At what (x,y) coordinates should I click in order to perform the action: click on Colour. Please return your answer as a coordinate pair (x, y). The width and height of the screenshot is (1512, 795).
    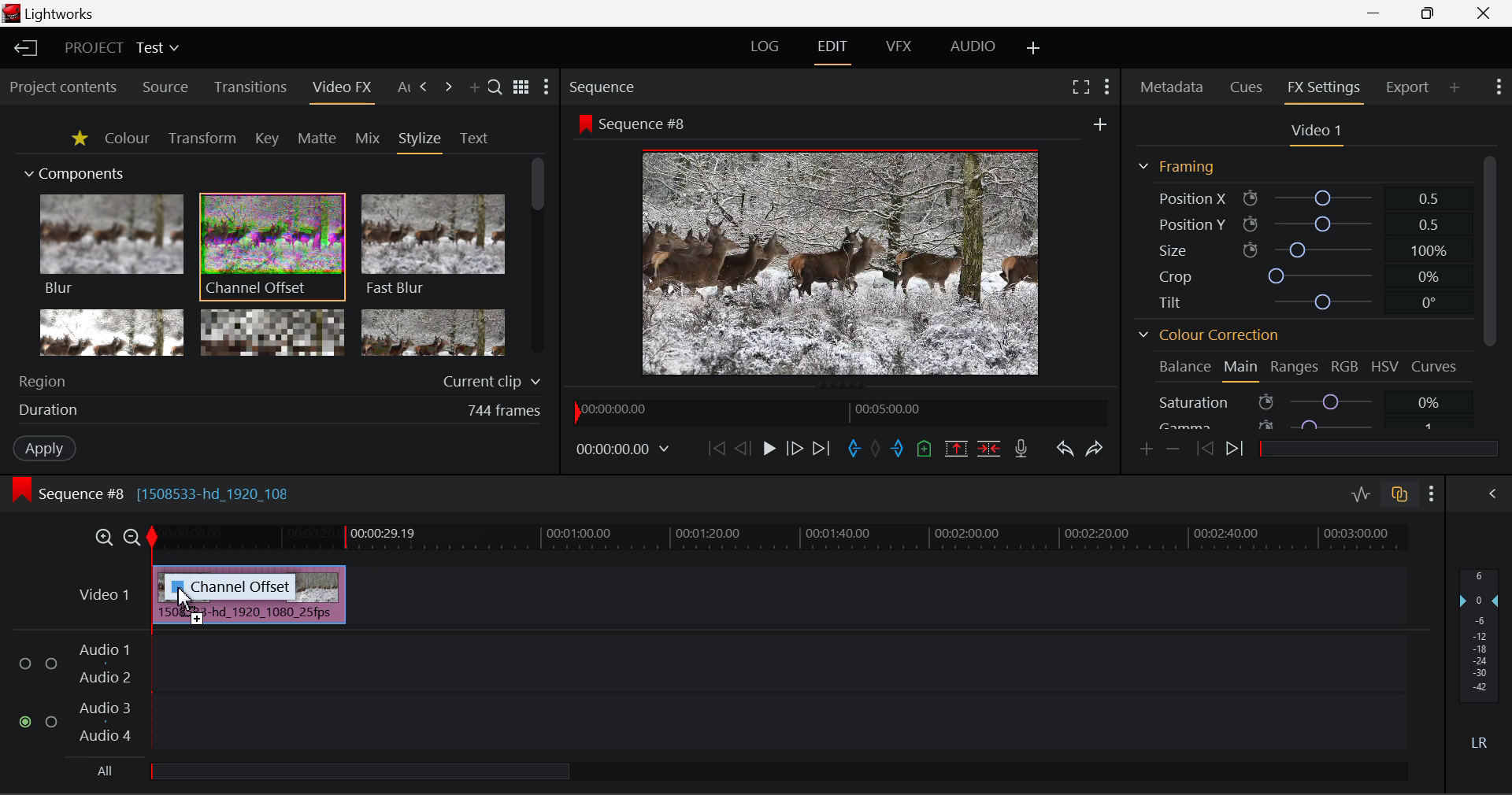
    Looking at the image, I should click on (126, 138).